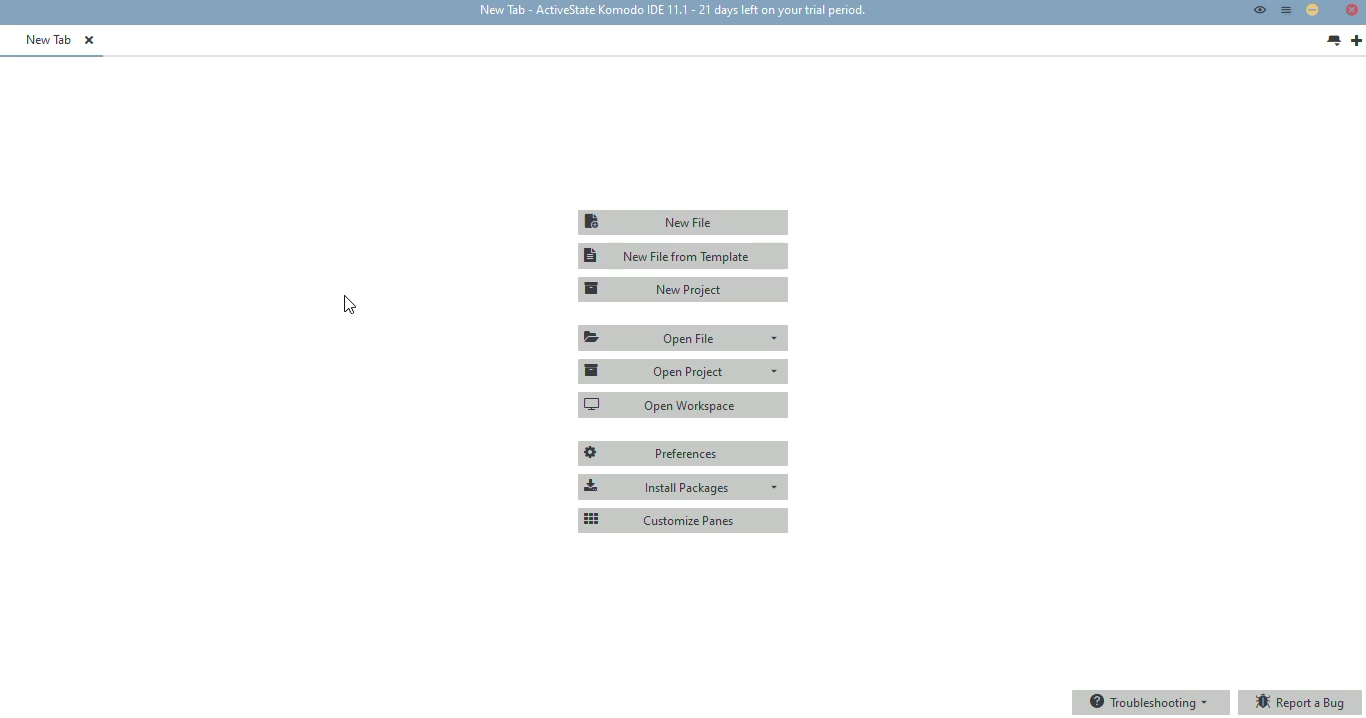 The width and height of the screenshot is (1366, 718). I want to click on Close, so click(1353, 11).